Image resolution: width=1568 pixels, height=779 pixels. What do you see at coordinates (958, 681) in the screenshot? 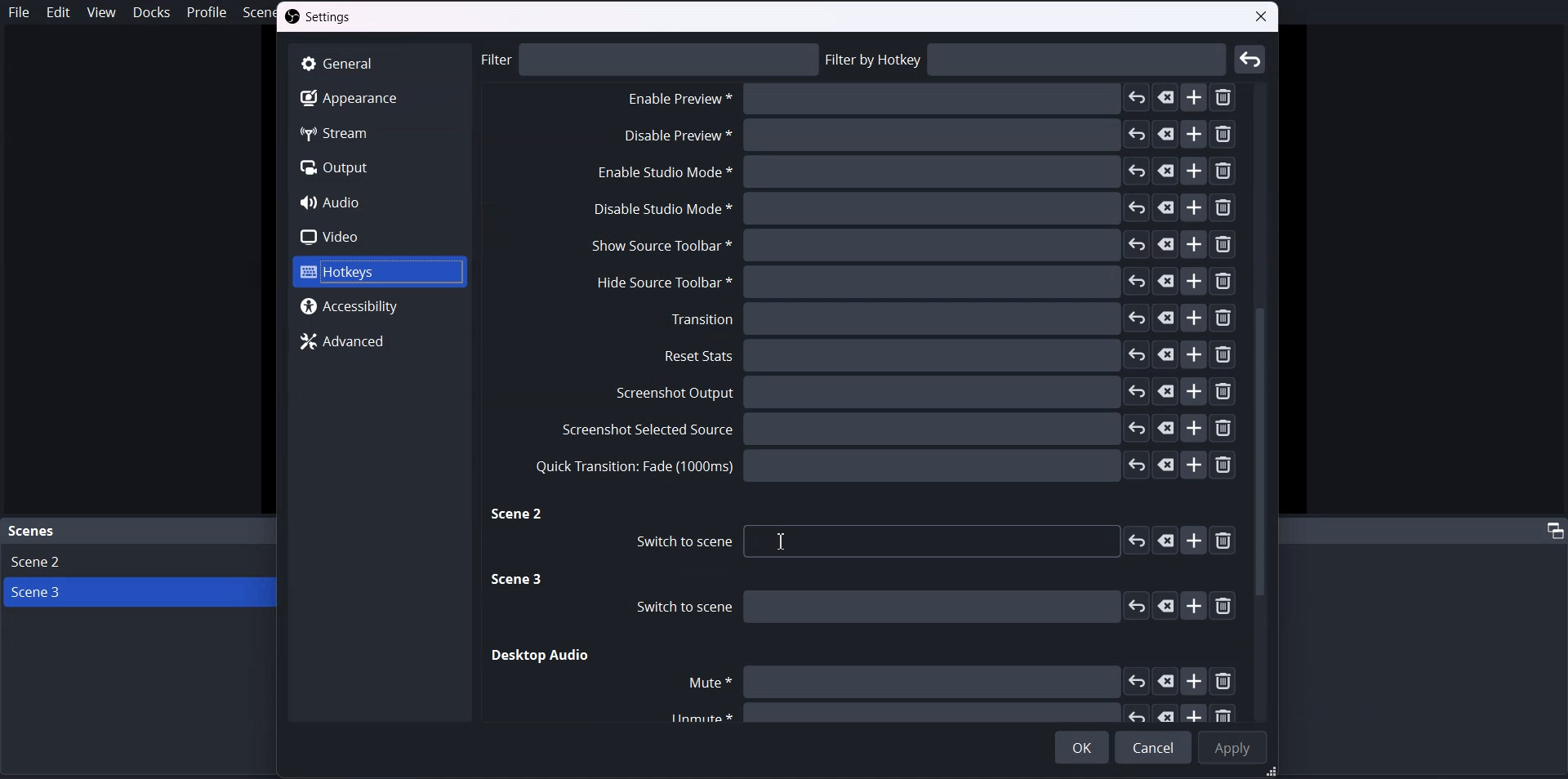
I see `mute` at bounding box center [958, 681].